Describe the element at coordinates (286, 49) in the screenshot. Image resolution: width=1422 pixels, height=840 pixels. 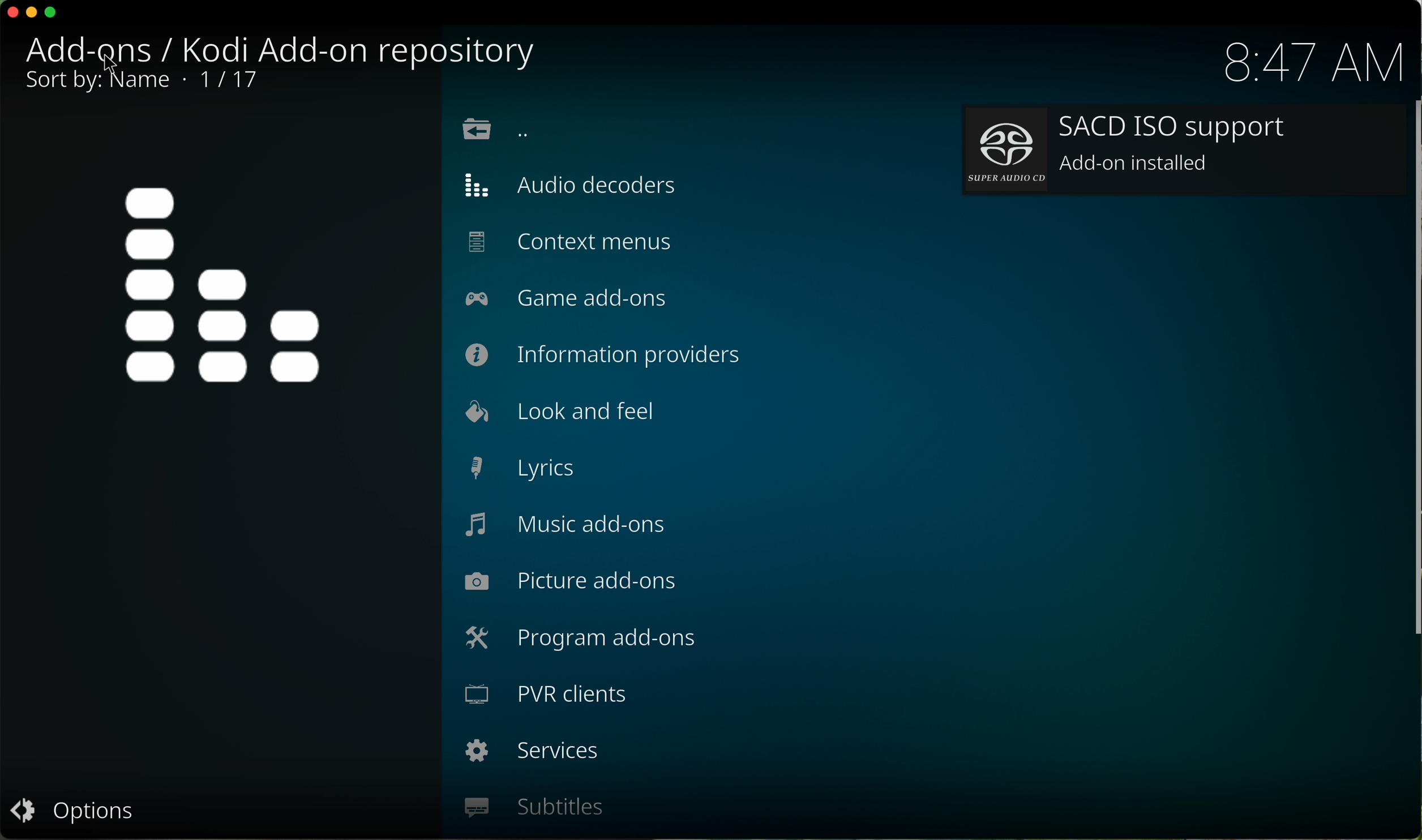
I see `Kodi add-on repository` at that location.